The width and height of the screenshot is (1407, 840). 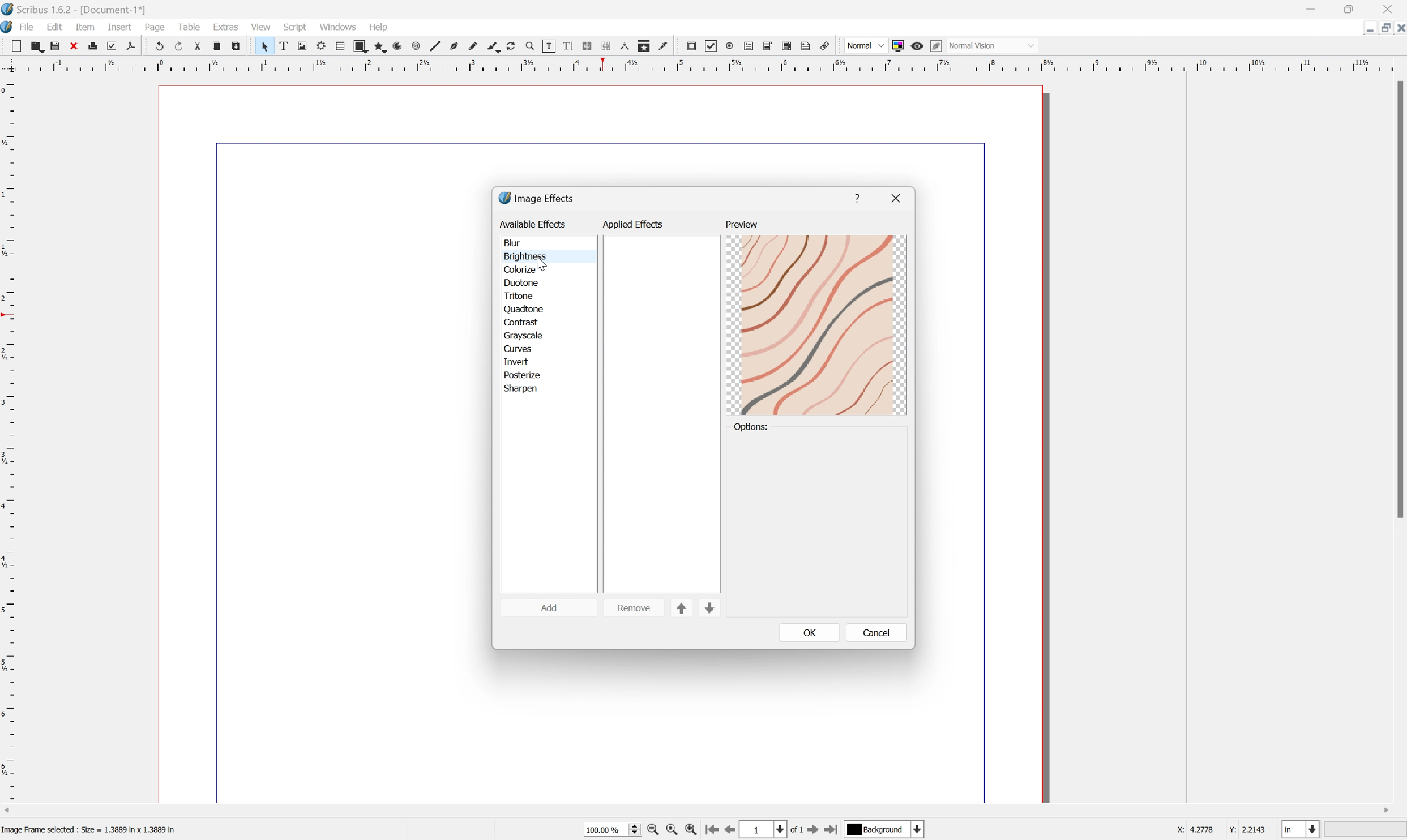 What do you see at coordinates (515, 241) in the screenshot?
I see `blur` at bounding box center [515, 241].